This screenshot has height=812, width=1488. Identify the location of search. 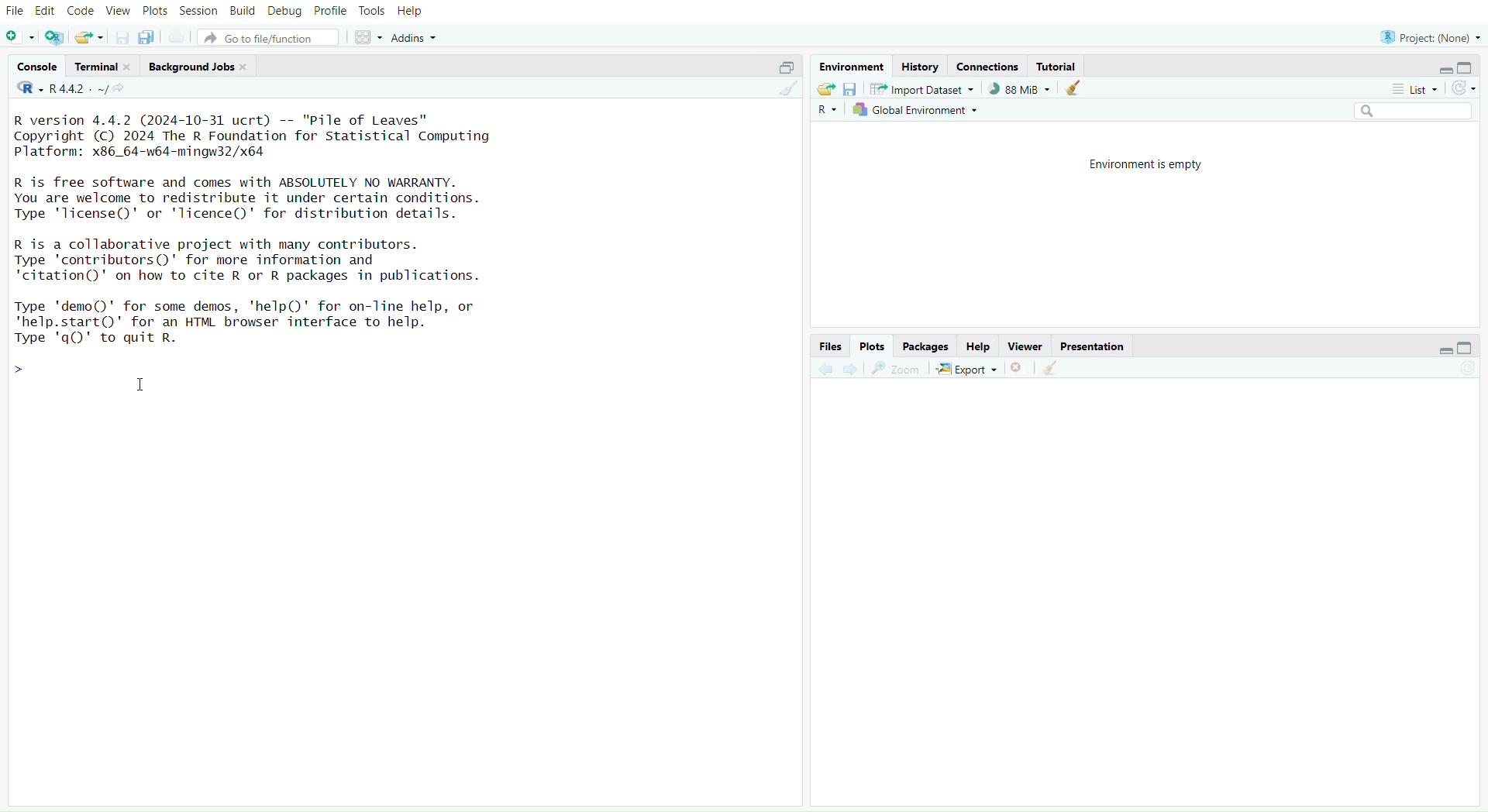
(1406, 112).